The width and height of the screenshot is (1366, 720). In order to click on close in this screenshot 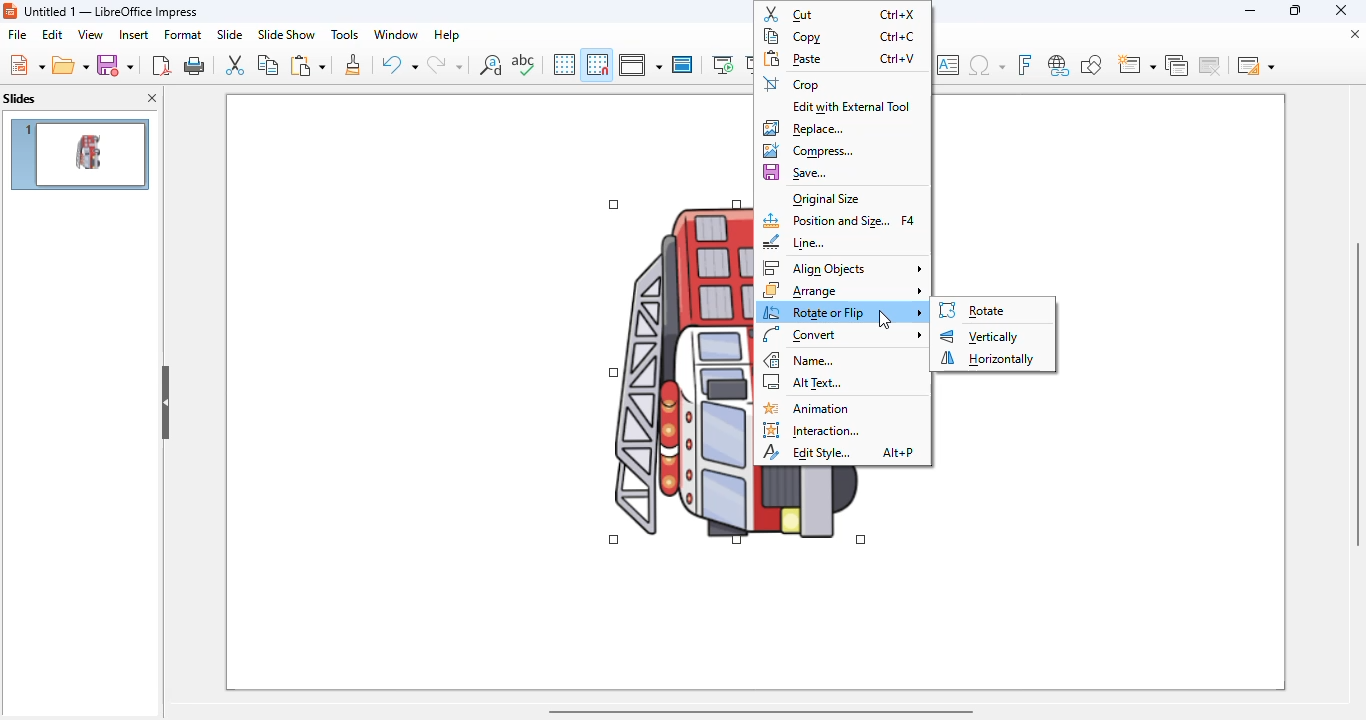, I will do `click(1340, 10)`.